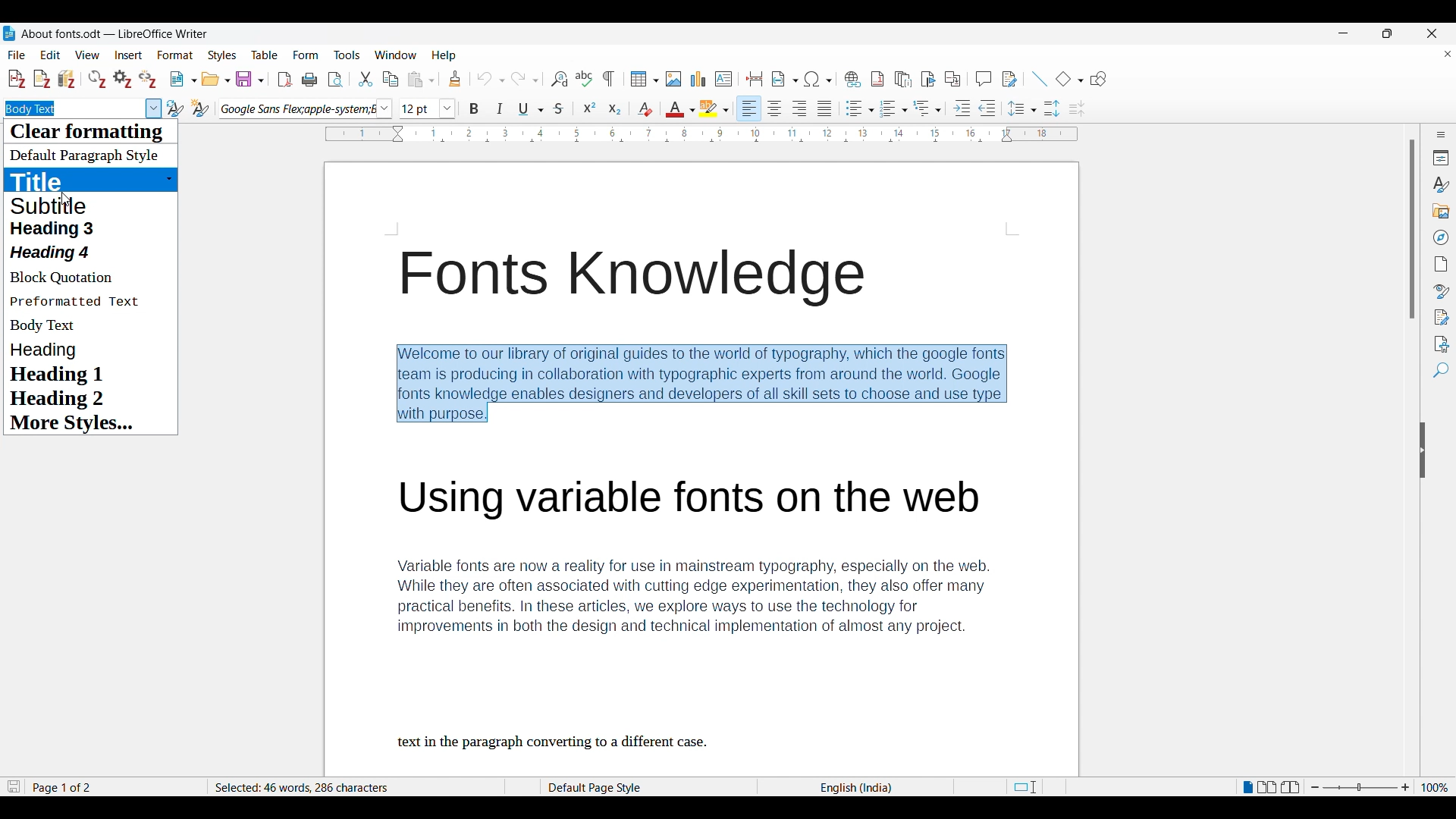 The height and width of the screenshot is (819, 1456). Describe the element at coordinates (55, 180) in the screenshot. I see `title` at that location.